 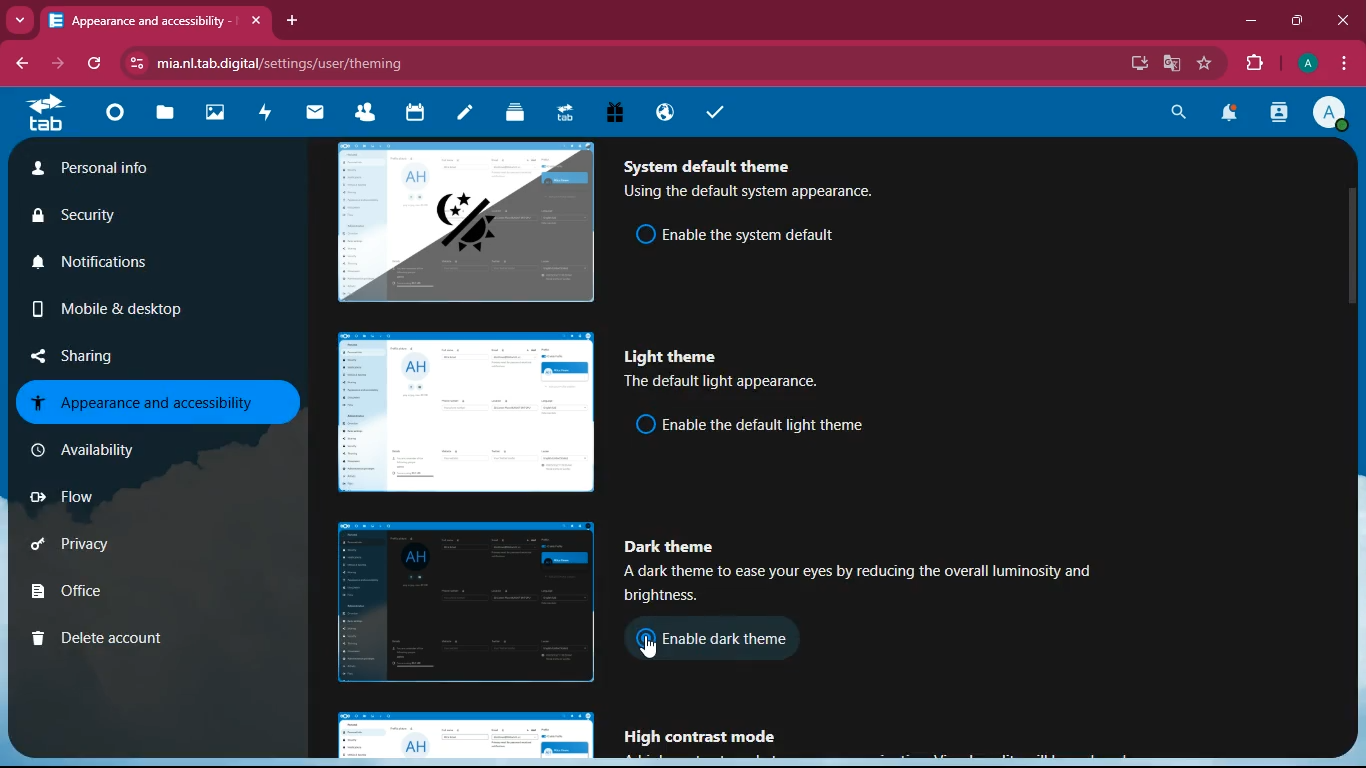 I want to click on description, so click(x=755, y=193).